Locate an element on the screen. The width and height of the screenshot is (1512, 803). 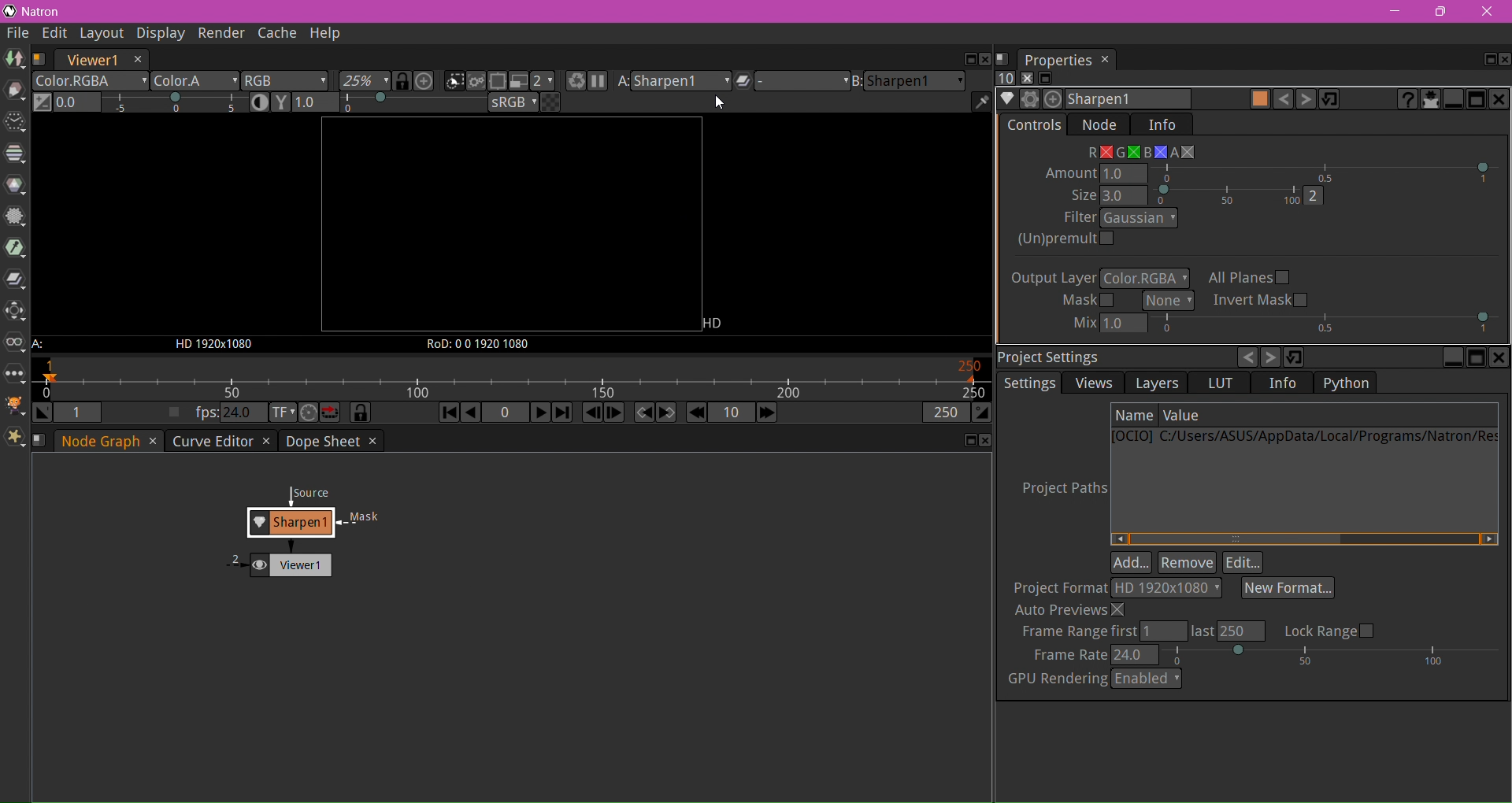
Frame Rate 24.0 is located at coordinates (1266, 654).